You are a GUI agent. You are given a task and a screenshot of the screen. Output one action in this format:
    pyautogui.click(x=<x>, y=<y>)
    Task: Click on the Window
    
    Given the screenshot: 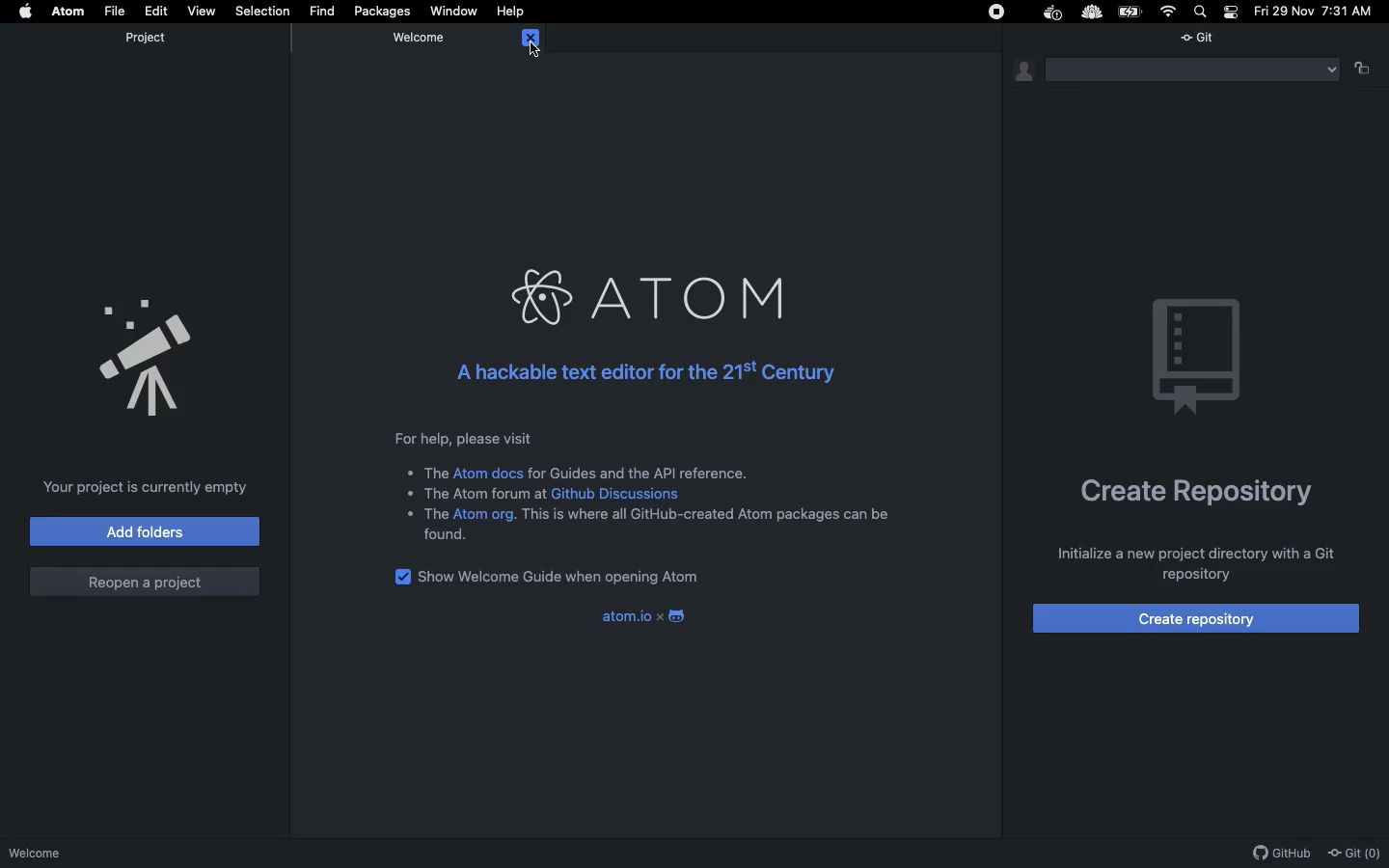 What is the action you would take?
    pyautogui.click(x=457, y=10)
    